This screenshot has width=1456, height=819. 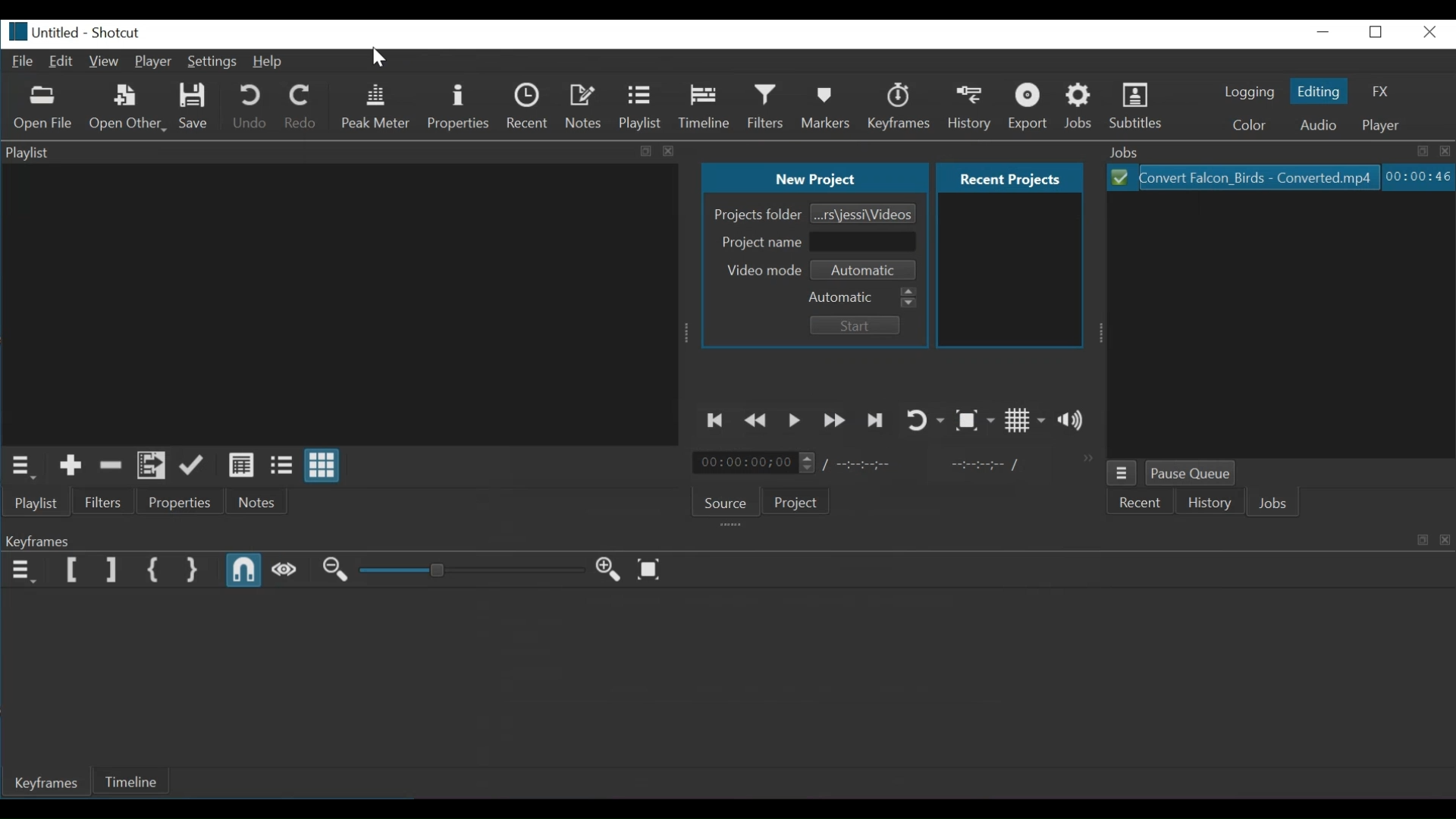 I want to click on Toggle player looping, so click(x=926, y=420).